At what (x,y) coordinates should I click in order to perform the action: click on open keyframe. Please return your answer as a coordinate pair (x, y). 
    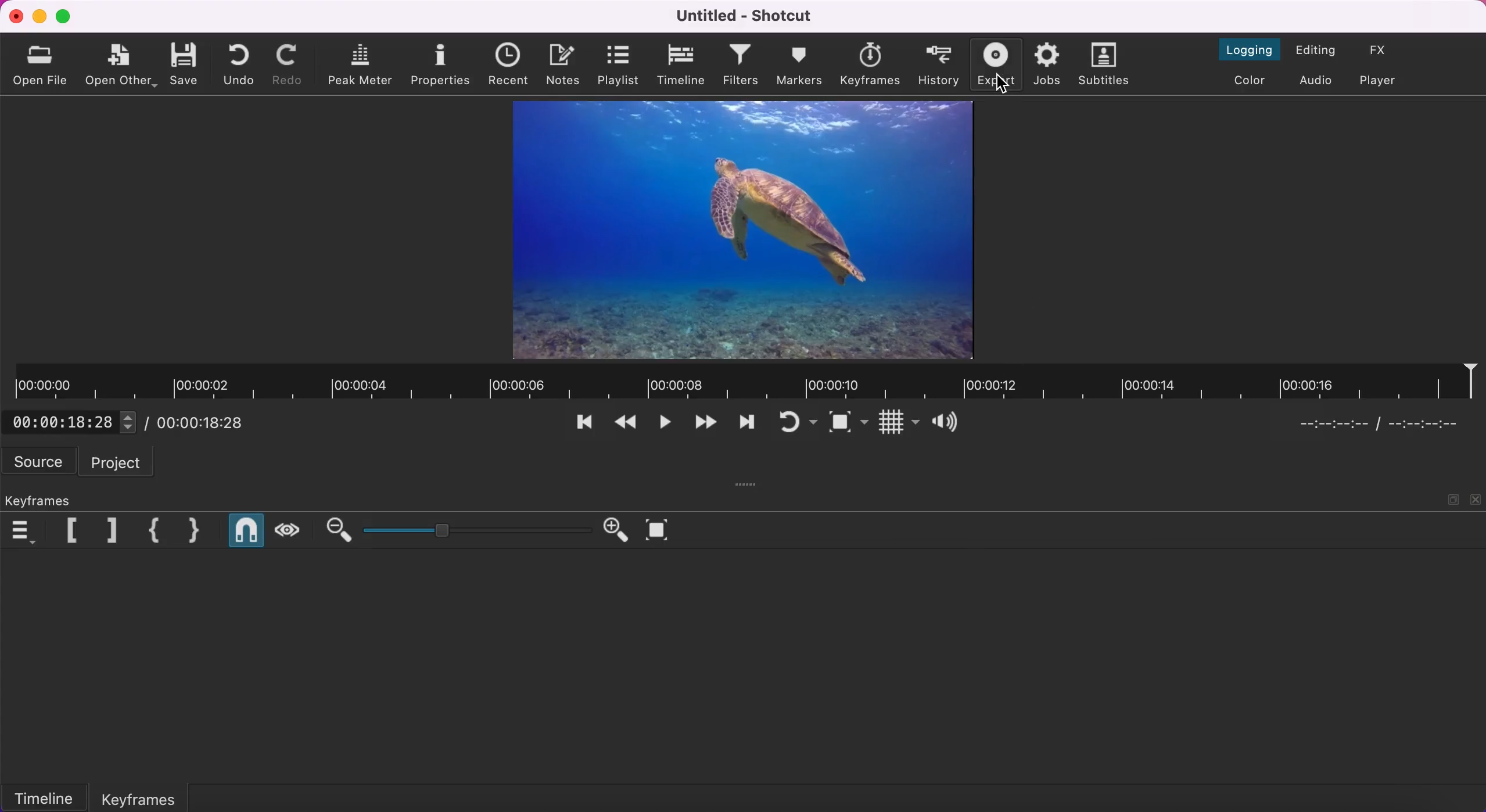
    Looking at the image, I should click on (149, 530).